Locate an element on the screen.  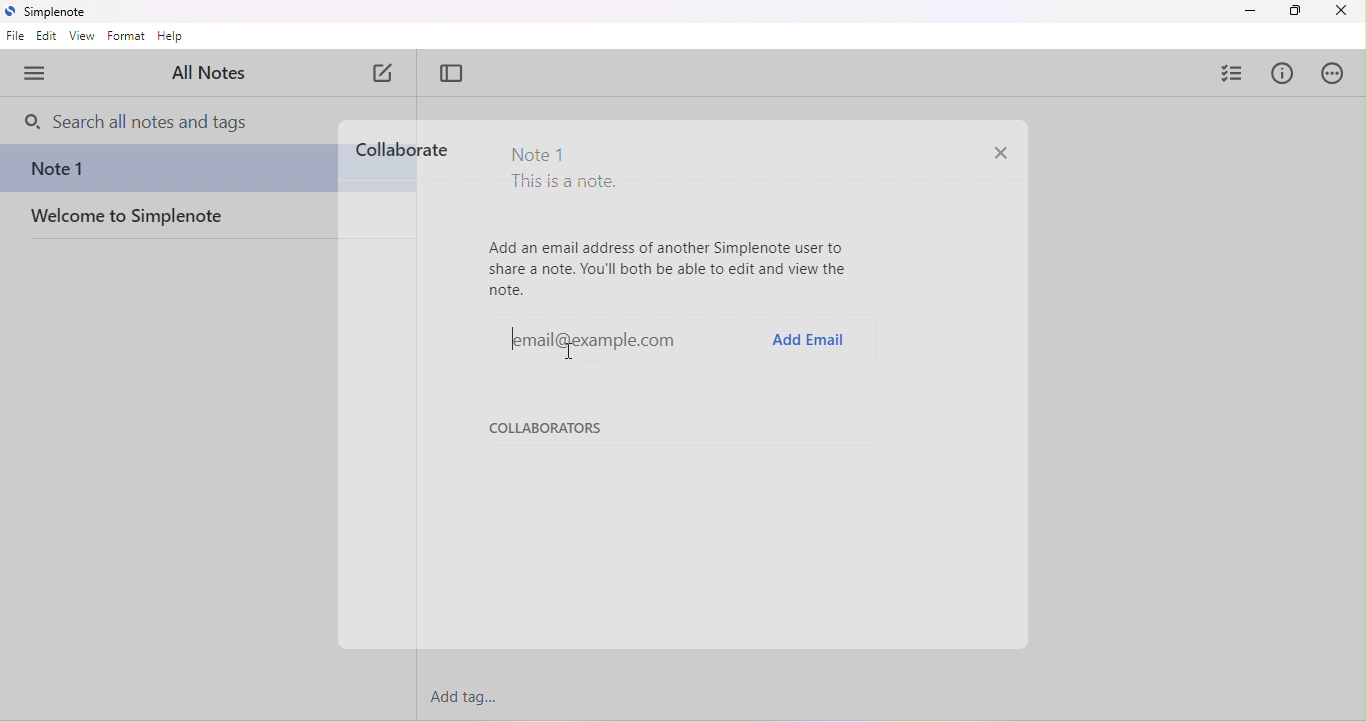
format is located at coordinates (126, 36).